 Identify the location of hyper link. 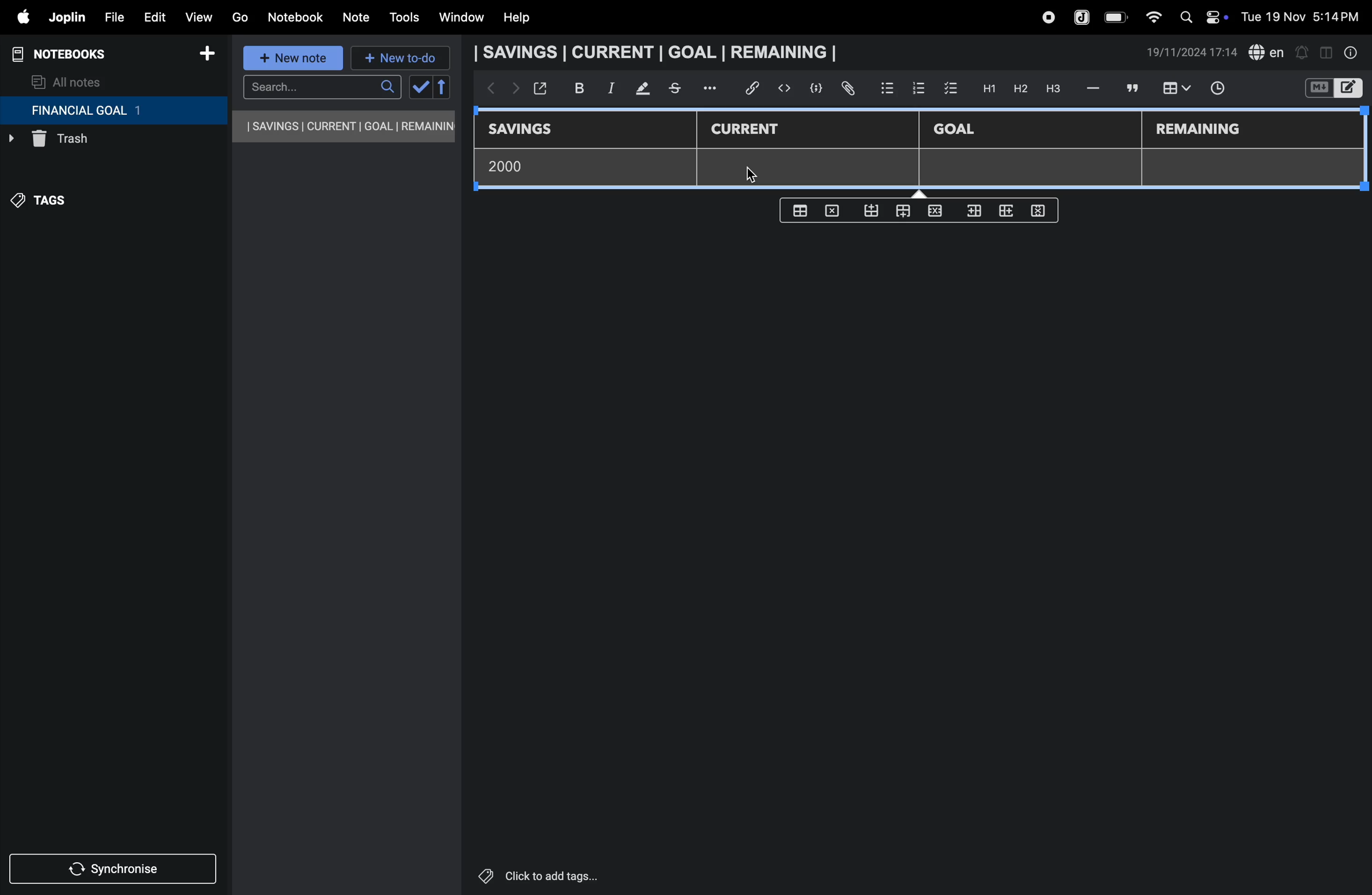
(756, 88).